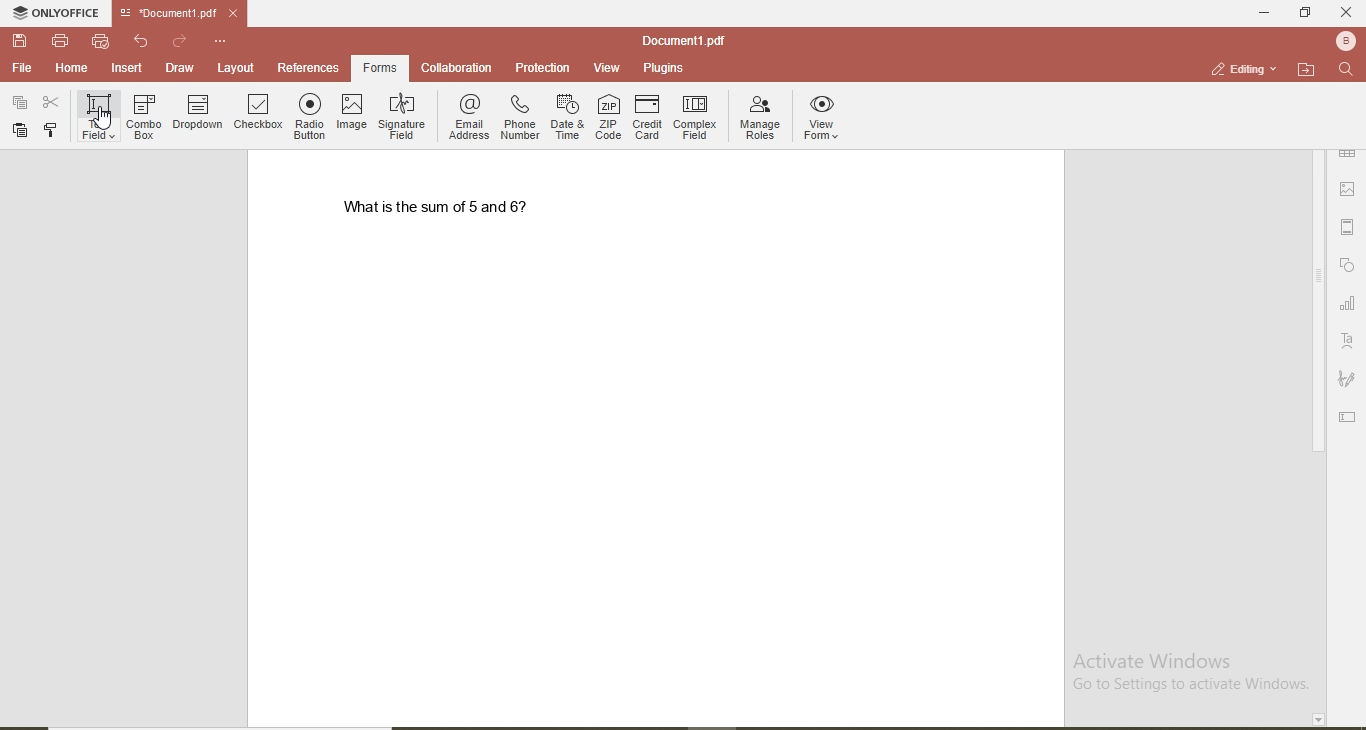 Image resolution: width=1366 pixels, height=730 pixels. What do you see at coordinates (21, 69) in the screenshot?
I see `file` at bounding box center [21, 69].